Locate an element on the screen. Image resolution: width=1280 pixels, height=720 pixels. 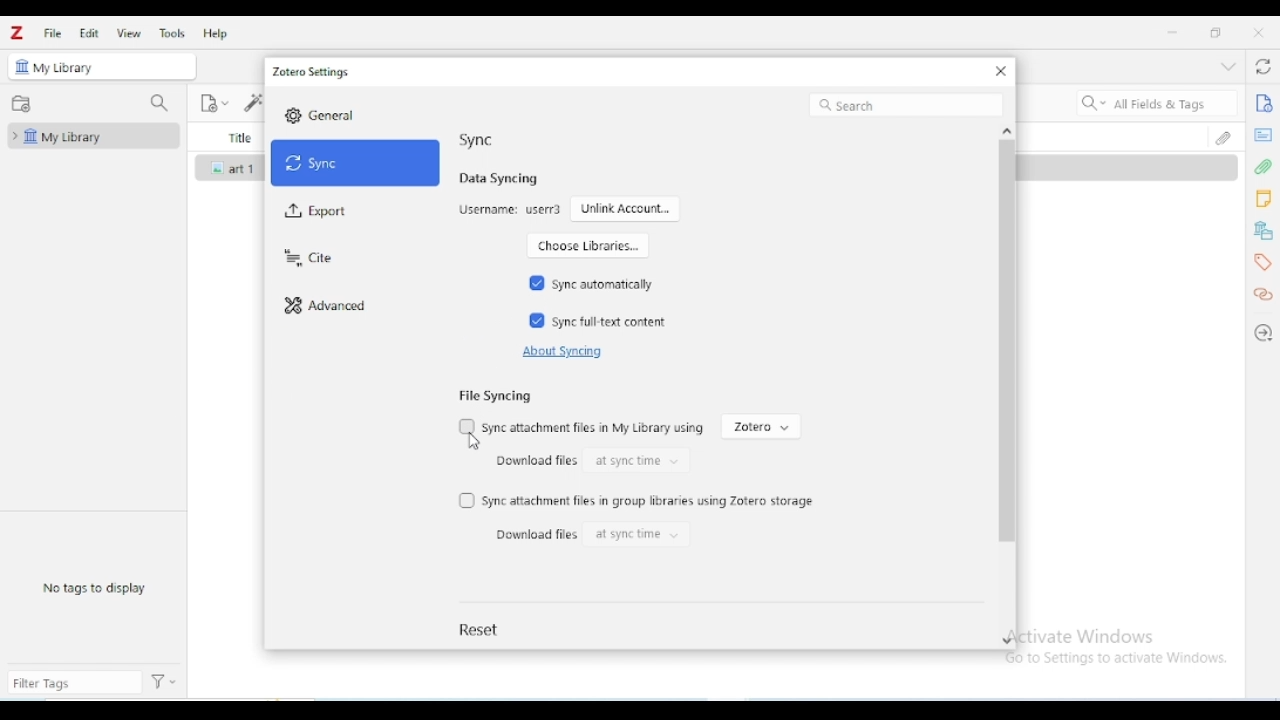
download files is located at coordinates (536, 534).